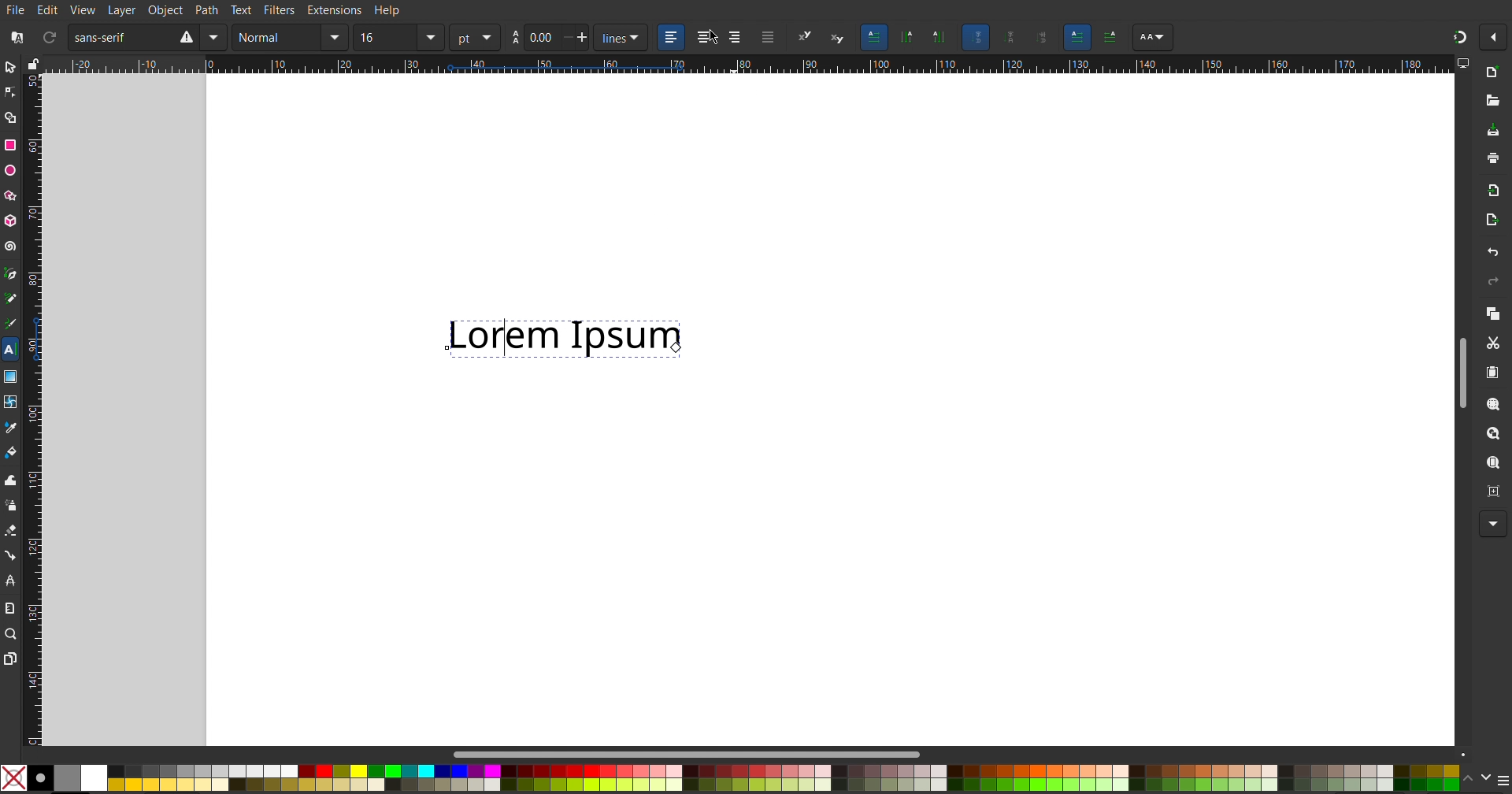 Image resolution: width=1512 pixels, height=794 pixels. I want to click on Mesh Tool, so click(11, 403).